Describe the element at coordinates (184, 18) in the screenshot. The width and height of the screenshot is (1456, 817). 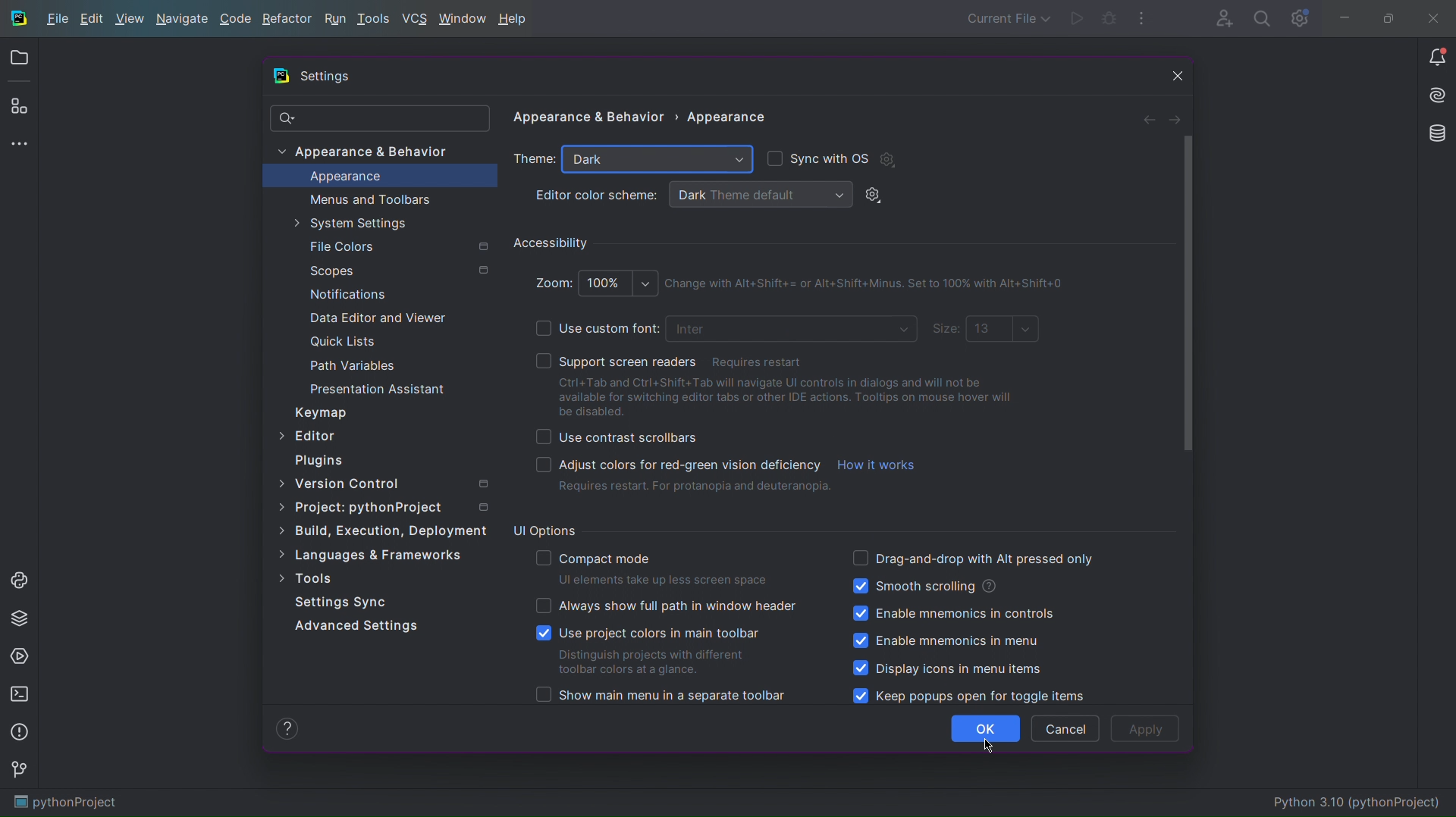
I see `Navigate` at that location.